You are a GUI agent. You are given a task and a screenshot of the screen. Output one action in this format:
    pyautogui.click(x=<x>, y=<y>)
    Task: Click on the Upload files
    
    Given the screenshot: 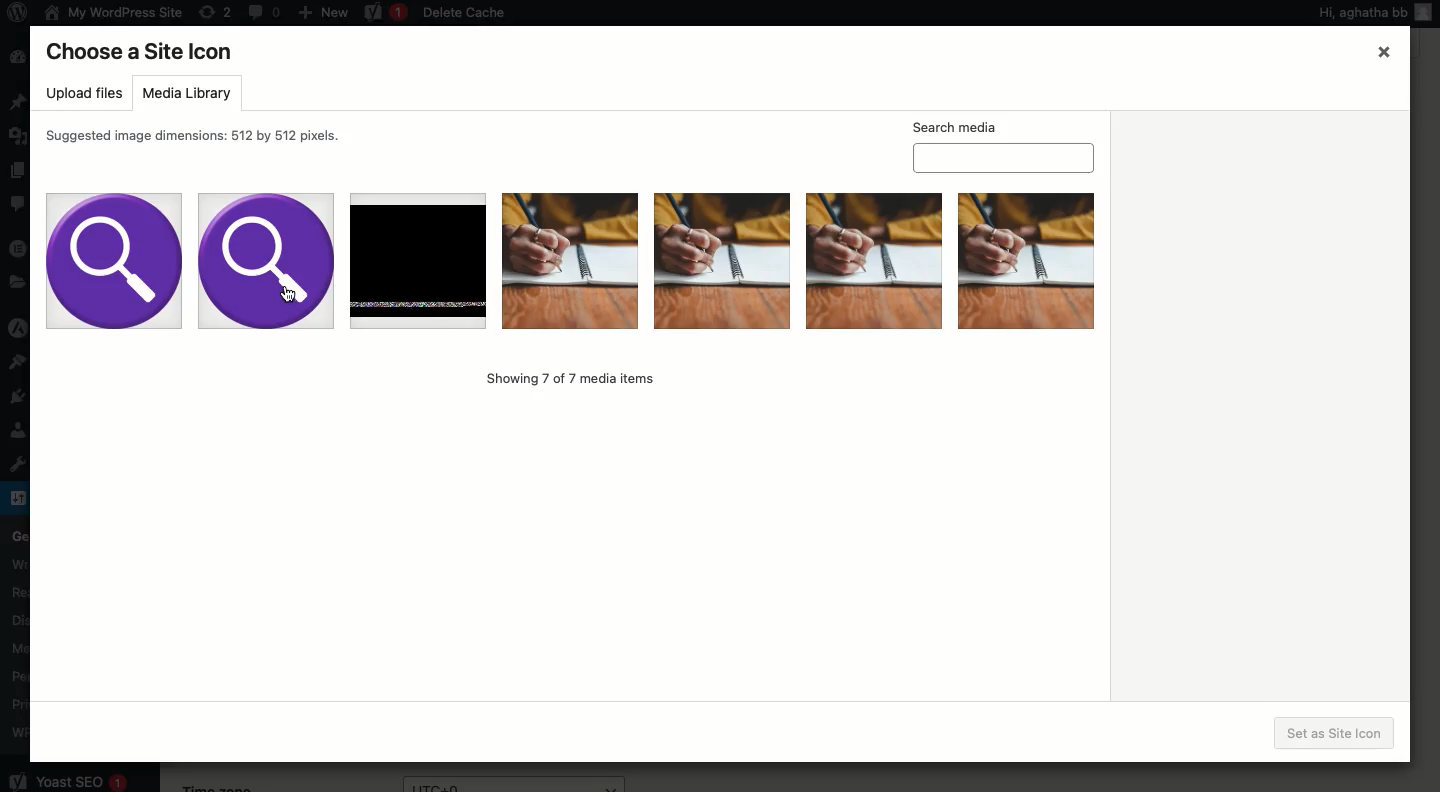 What is the action you would take?
    pyautogui.click(x=86, y=94)
    